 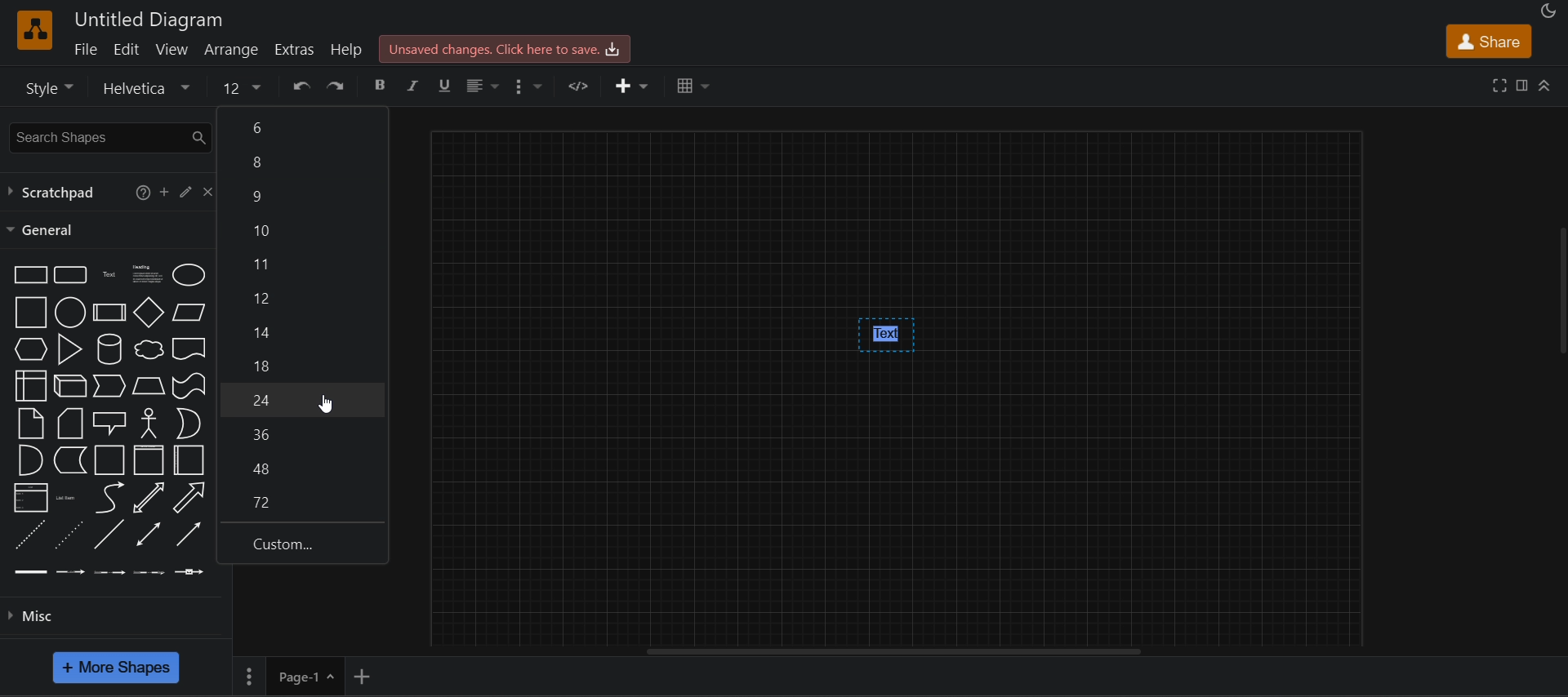 I want to click on collapase/expand, so click(x=1544, y=85).